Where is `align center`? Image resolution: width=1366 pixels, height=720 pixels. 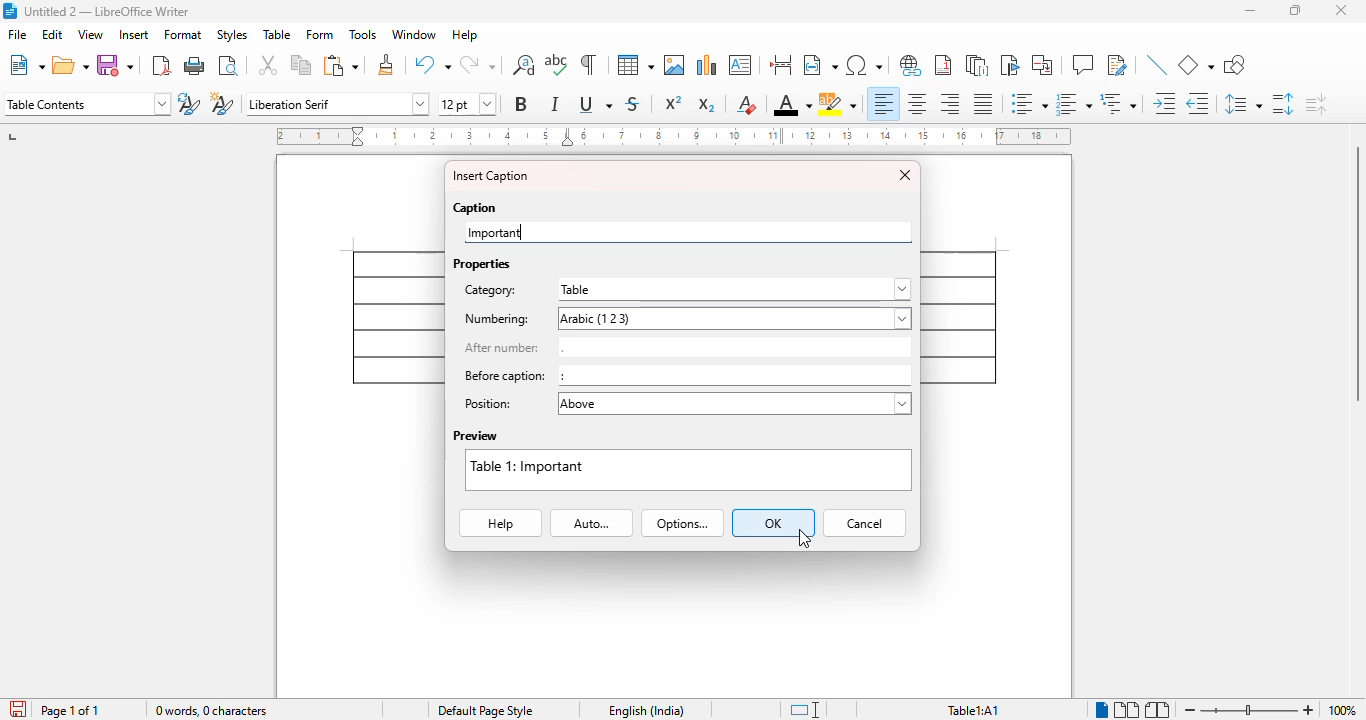
align center is located at coordinates (917, 104).